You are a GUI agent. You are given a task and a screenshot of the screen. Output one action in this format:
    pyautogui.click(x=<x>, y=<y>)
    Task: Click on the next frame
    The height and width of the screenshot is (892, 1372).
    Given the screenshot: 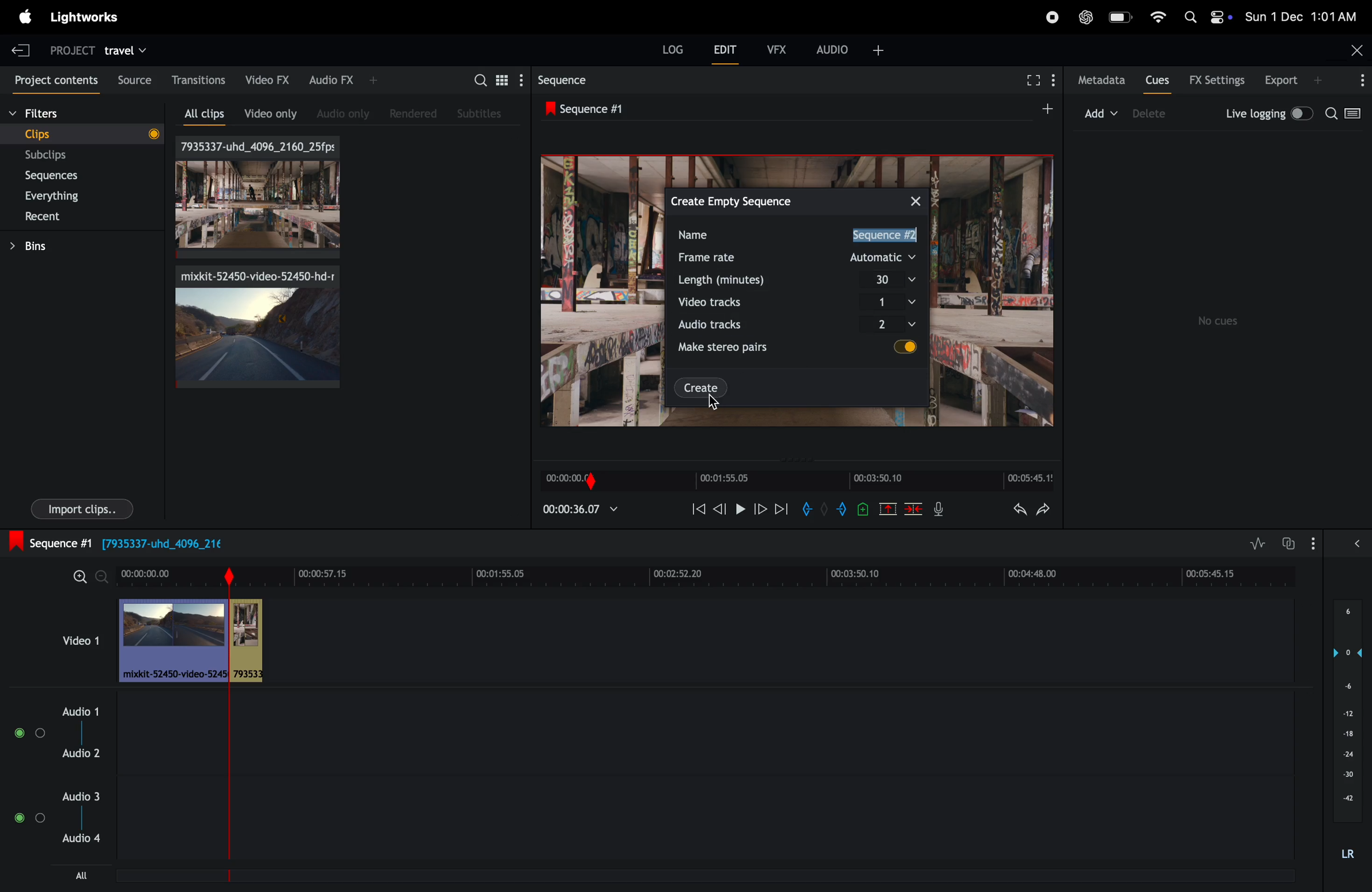 What is the action you would take?
    pyautogui.click(x=718, y=508)
    